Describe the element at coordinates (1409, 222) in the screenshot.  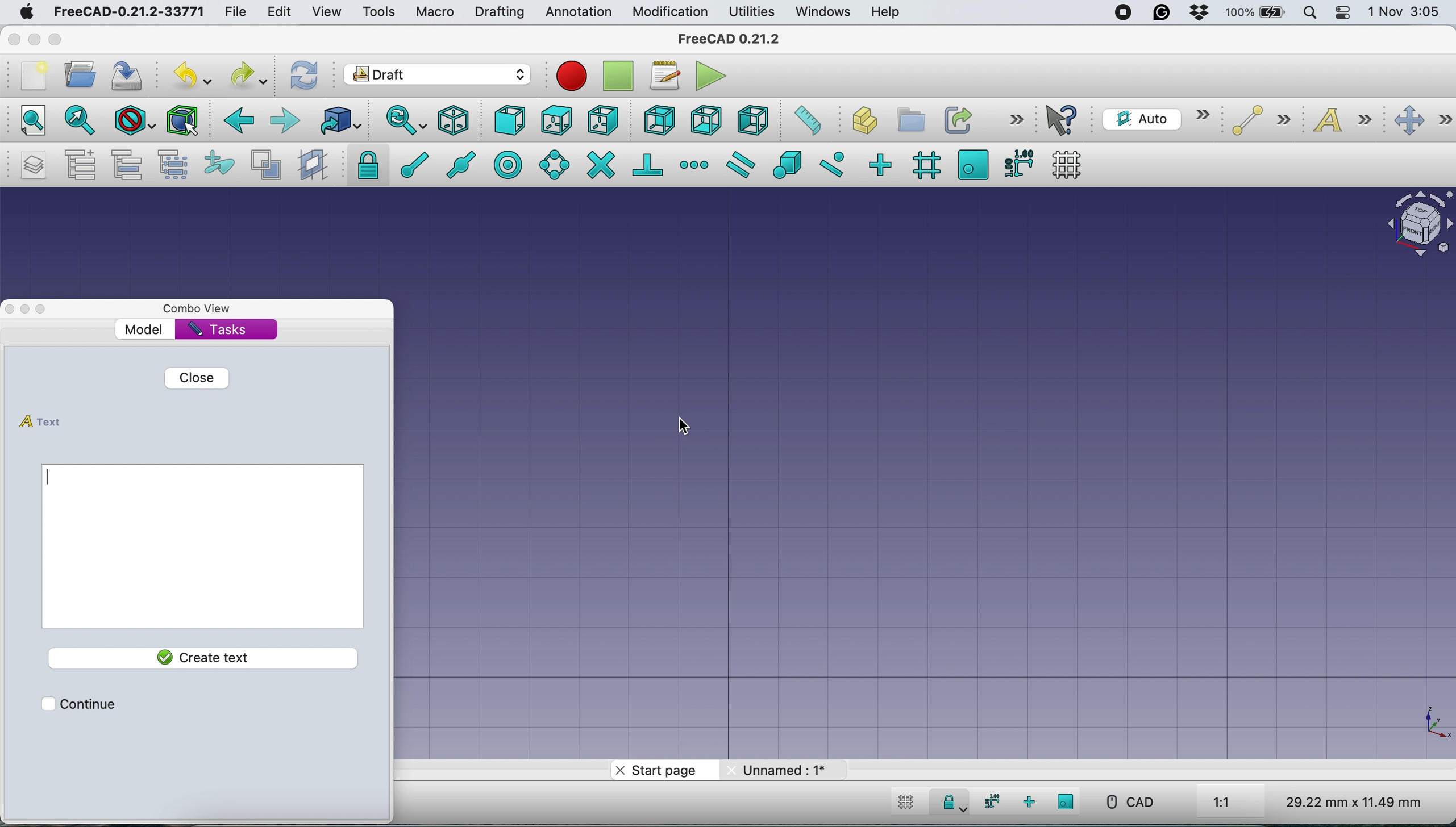
I see `object interface` at that location.